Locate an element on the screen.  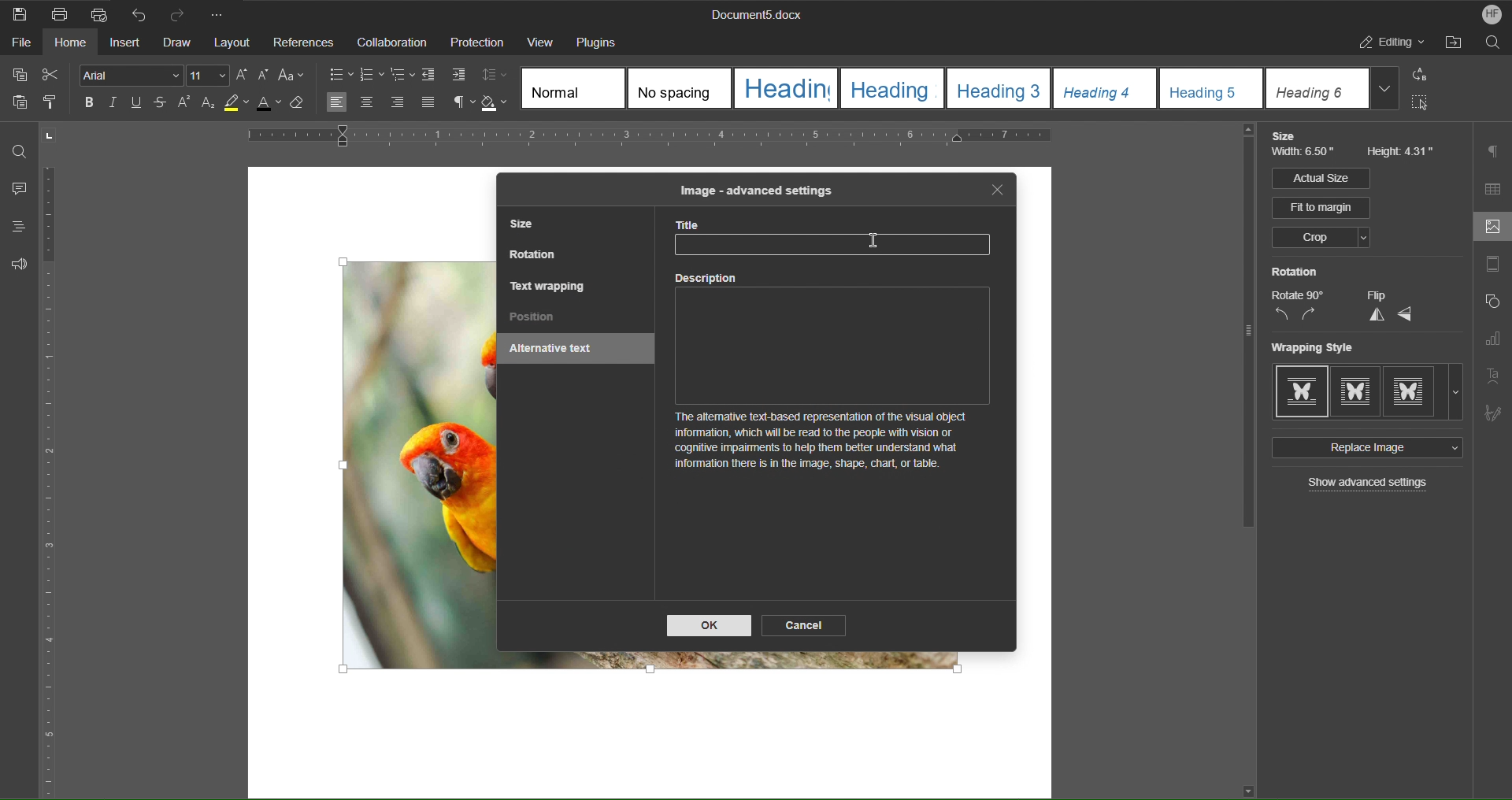
Line Spacing is located at coordinates (497, 76).